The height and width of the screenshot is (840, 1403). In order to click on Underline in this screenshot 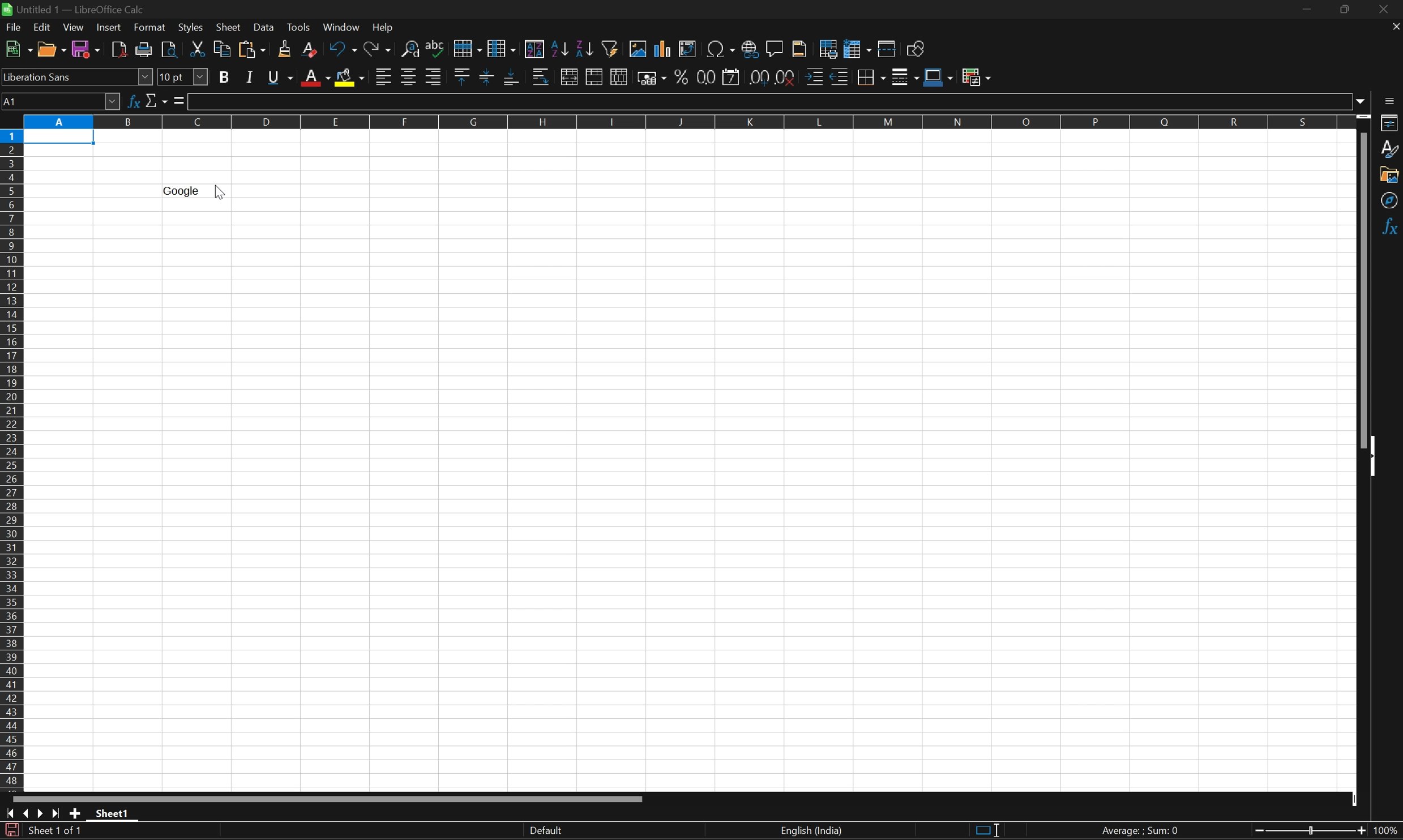, I will do `click(282, 76)`.